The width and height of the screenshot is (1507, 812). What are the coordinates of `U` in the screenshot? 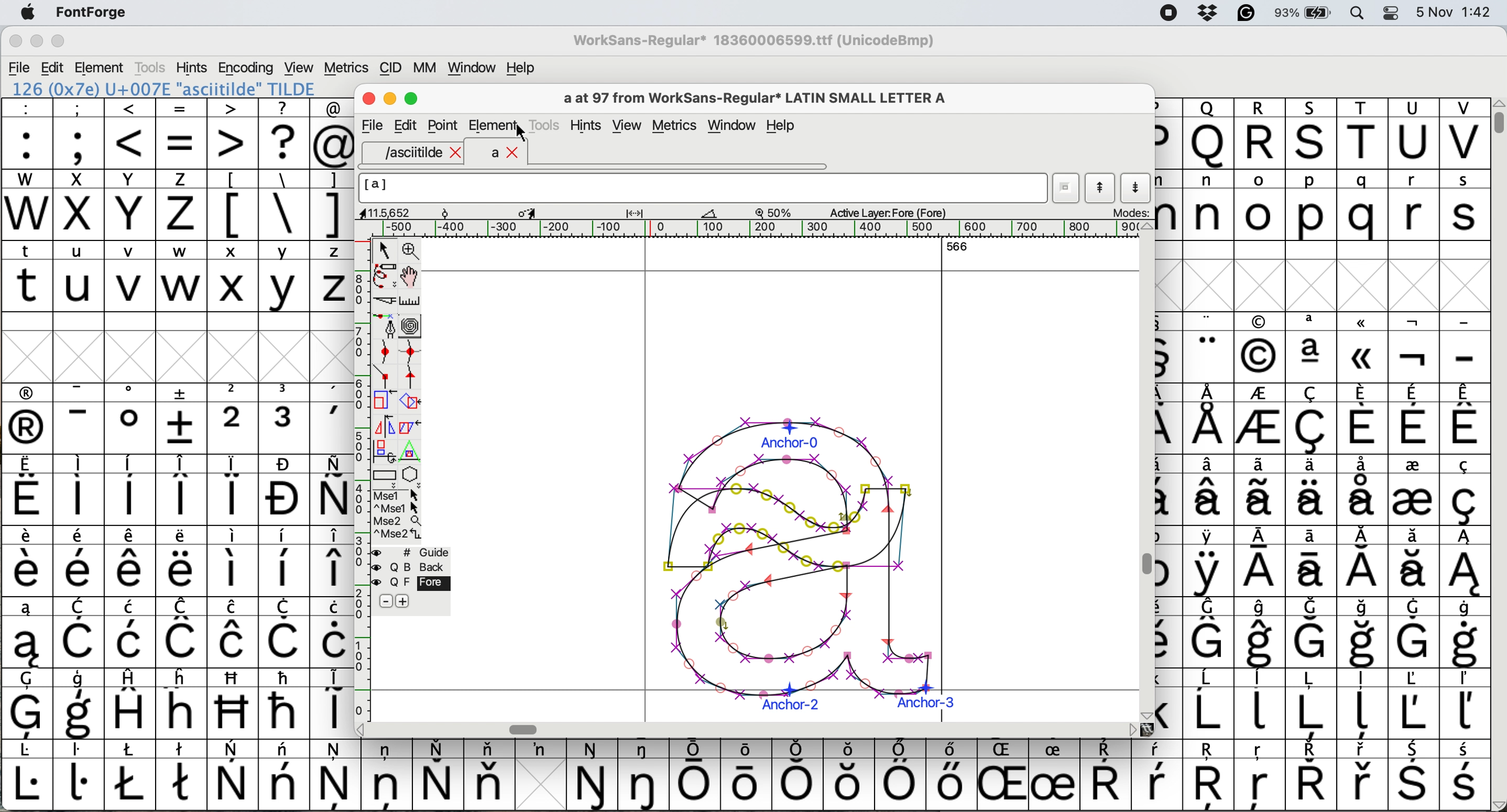 It's located at (1413, 134).